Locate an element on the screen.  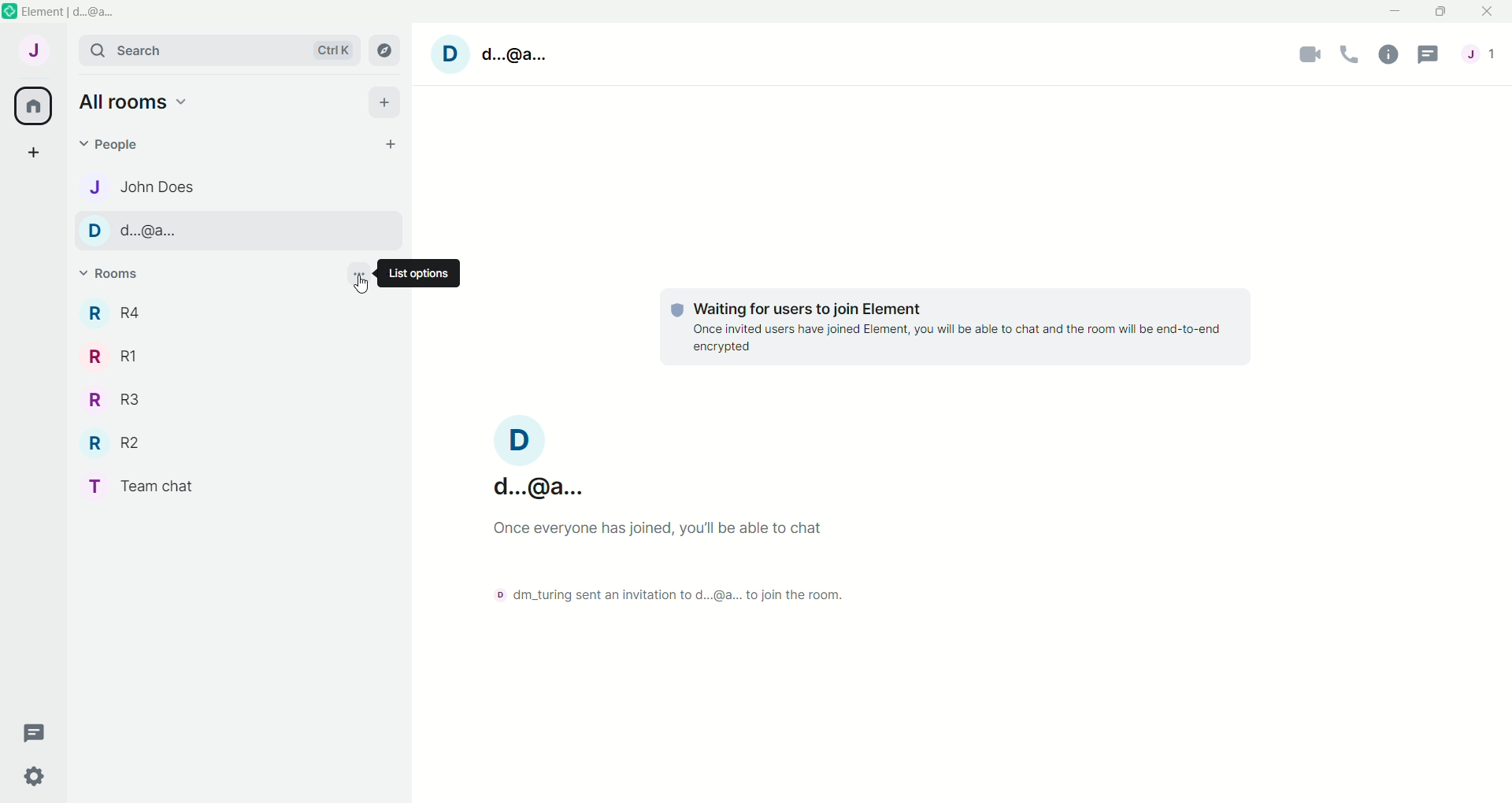
search Ctrl K is located at coordinates (217, 51).